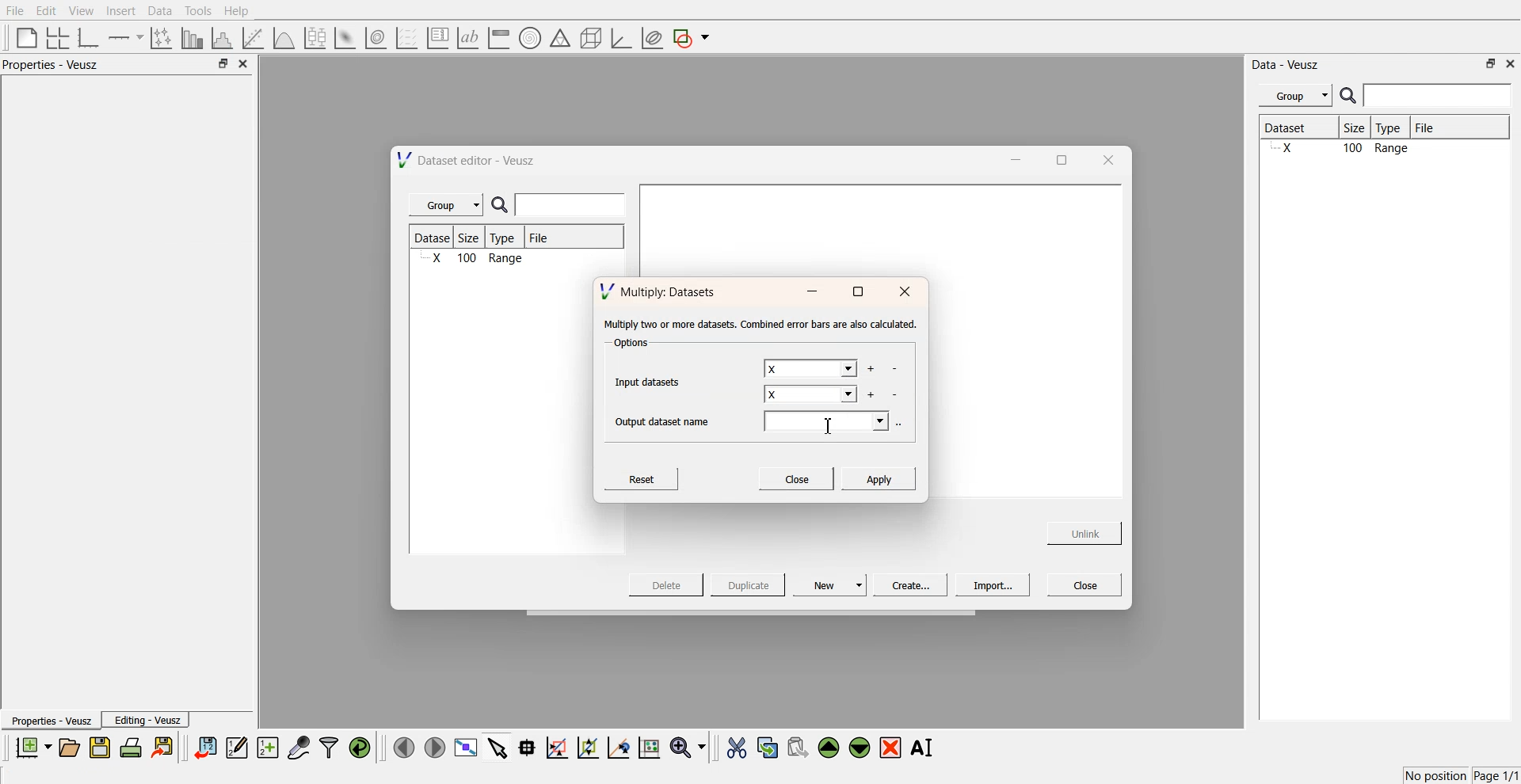  Describe the element at coordinates (127, 37) in the screenshot. I see `add an axis` at that location.